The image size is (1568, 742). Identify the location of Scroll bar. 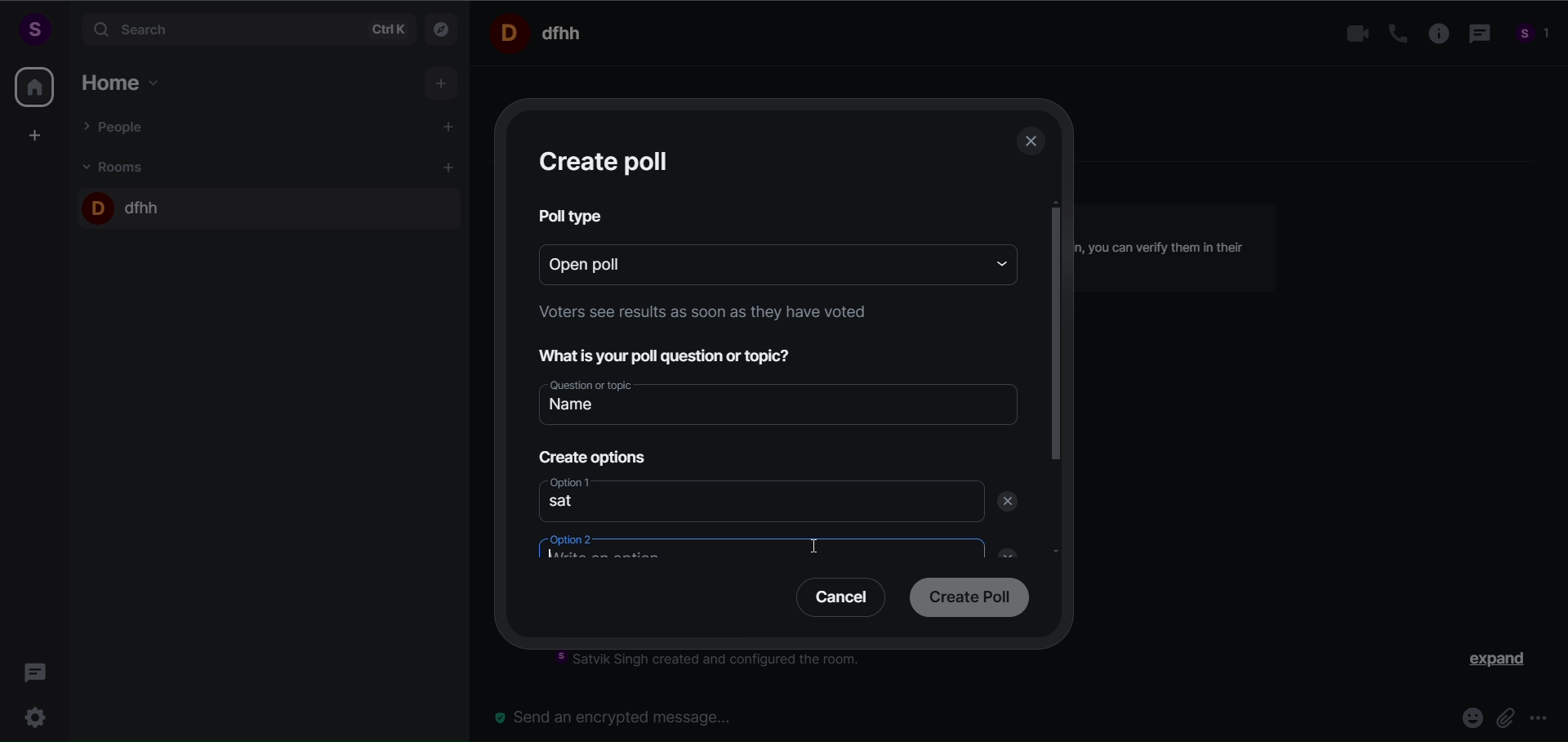
(1057, 413).